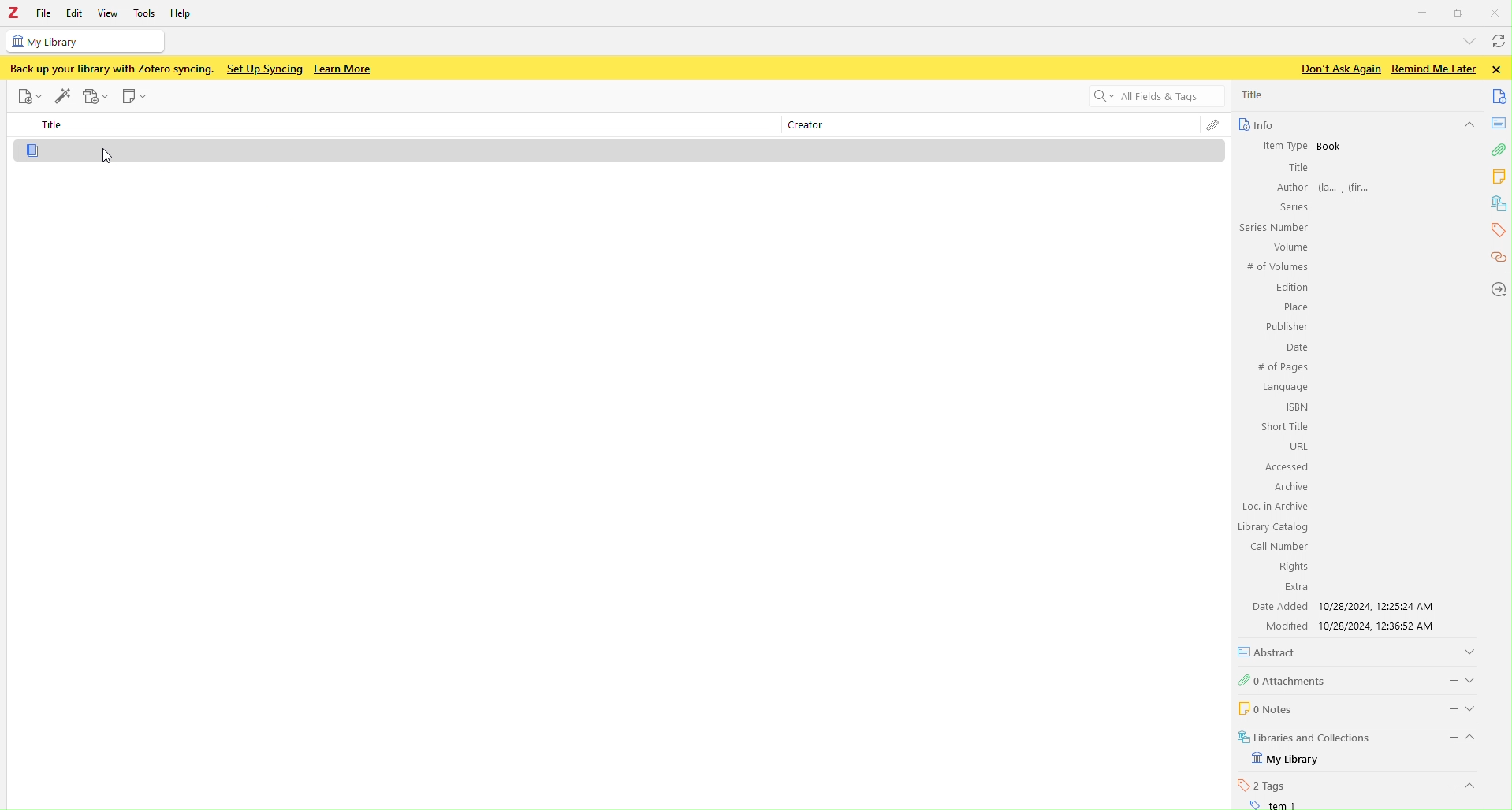 This screenshot has width=1512, height=810. I want to click on libraries, so click(1499, 204).